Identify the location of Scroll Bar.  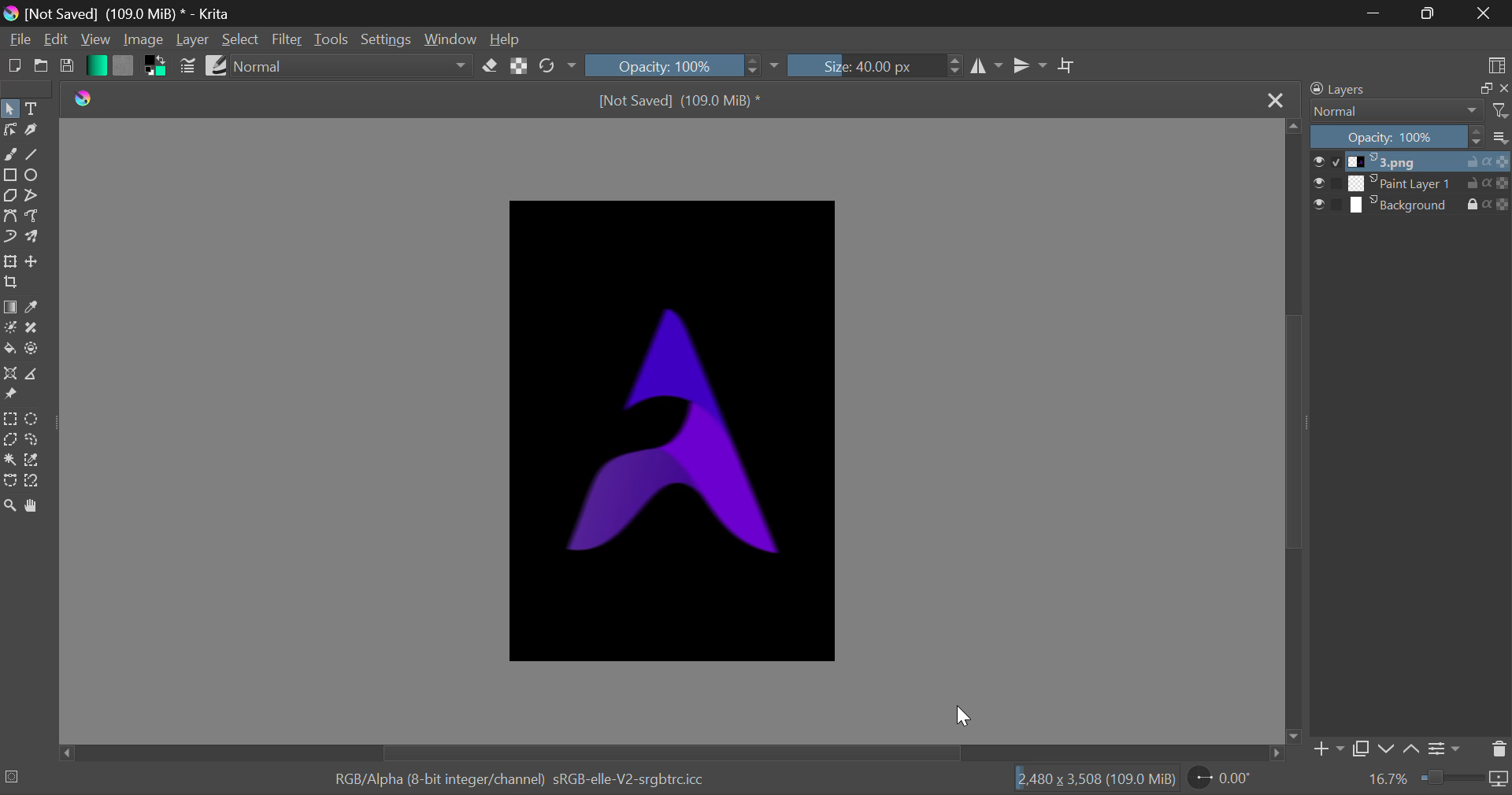
(672, 753).